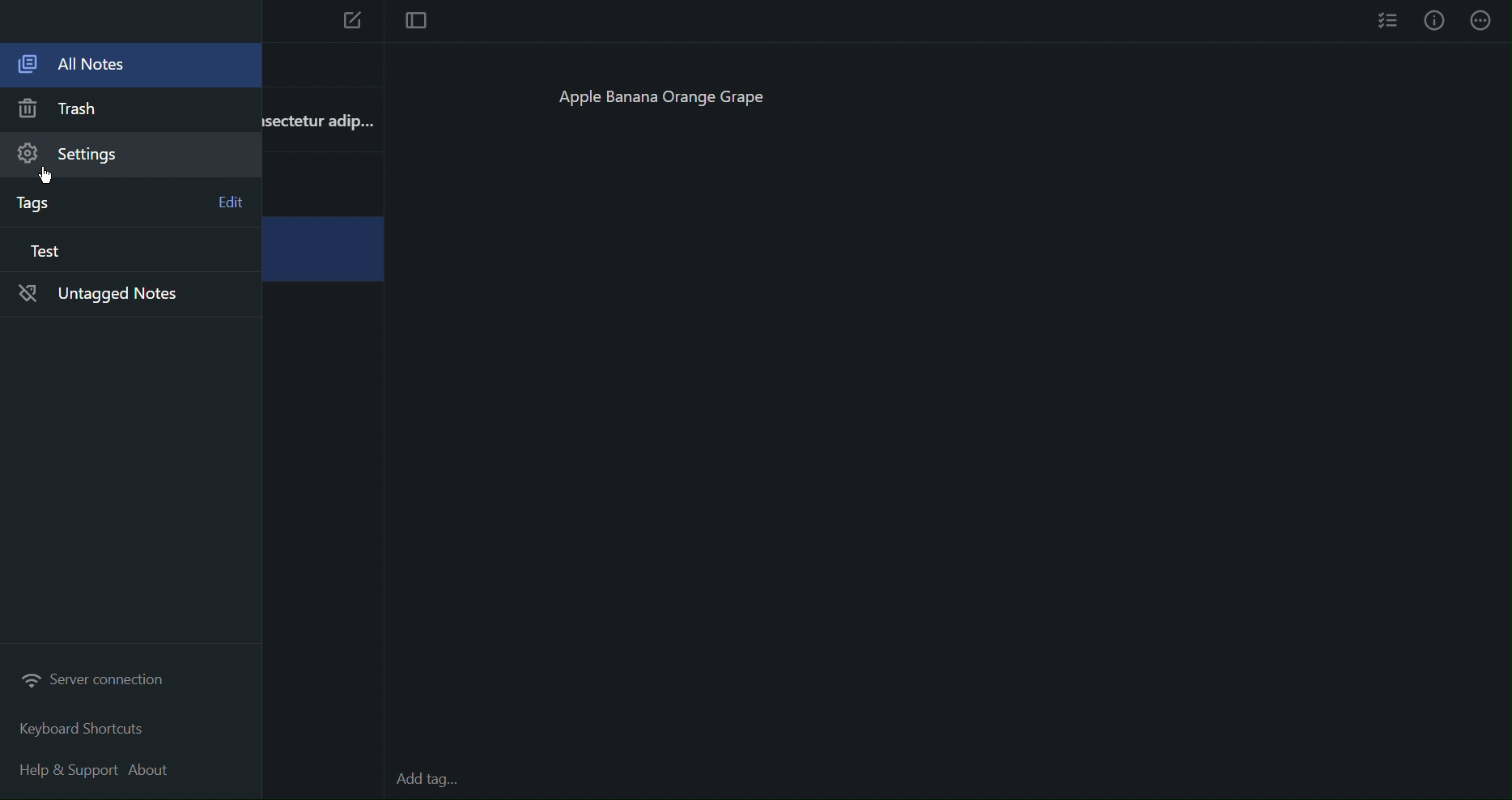  Describe the element at coordinates (158, 767) in the screenshot. I see `About` at that location.